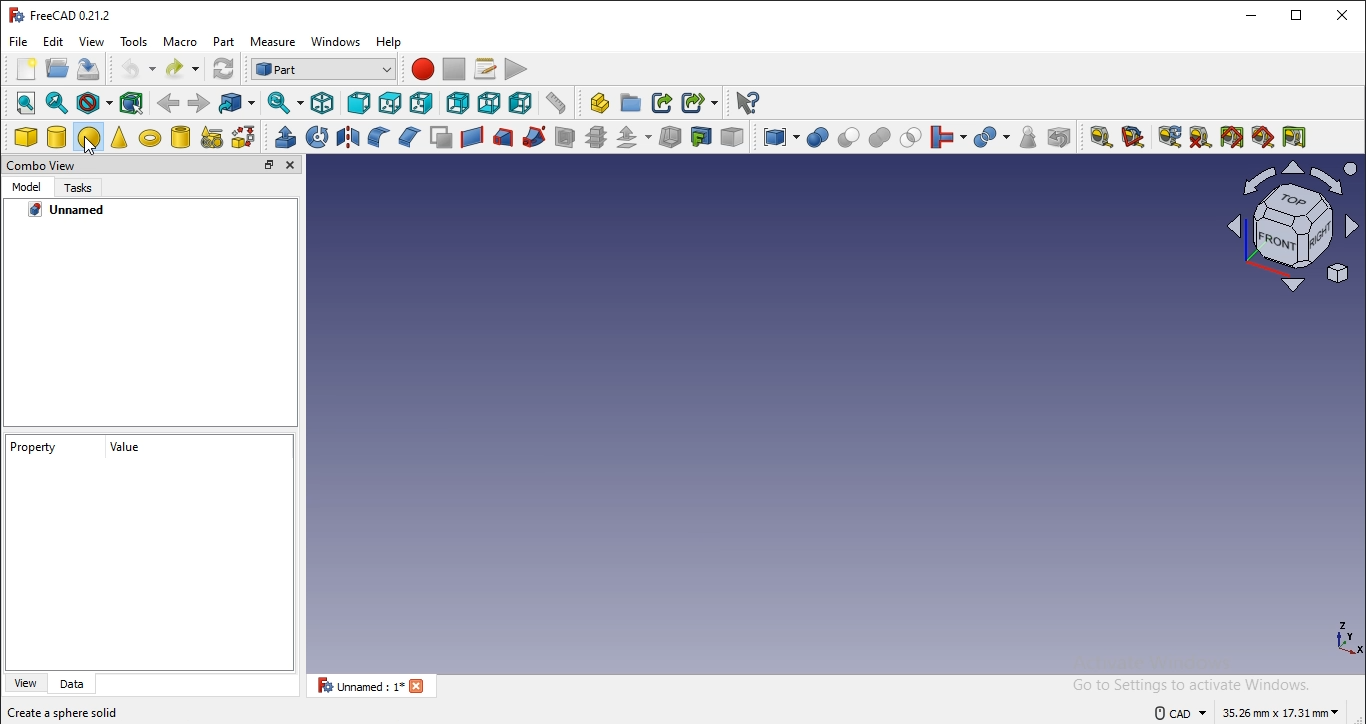 This screenshot has height=724, width=1366. What do you see at coordinates (30, 190) in the screenshot?
I see `model` at bounding box center [30, 190].